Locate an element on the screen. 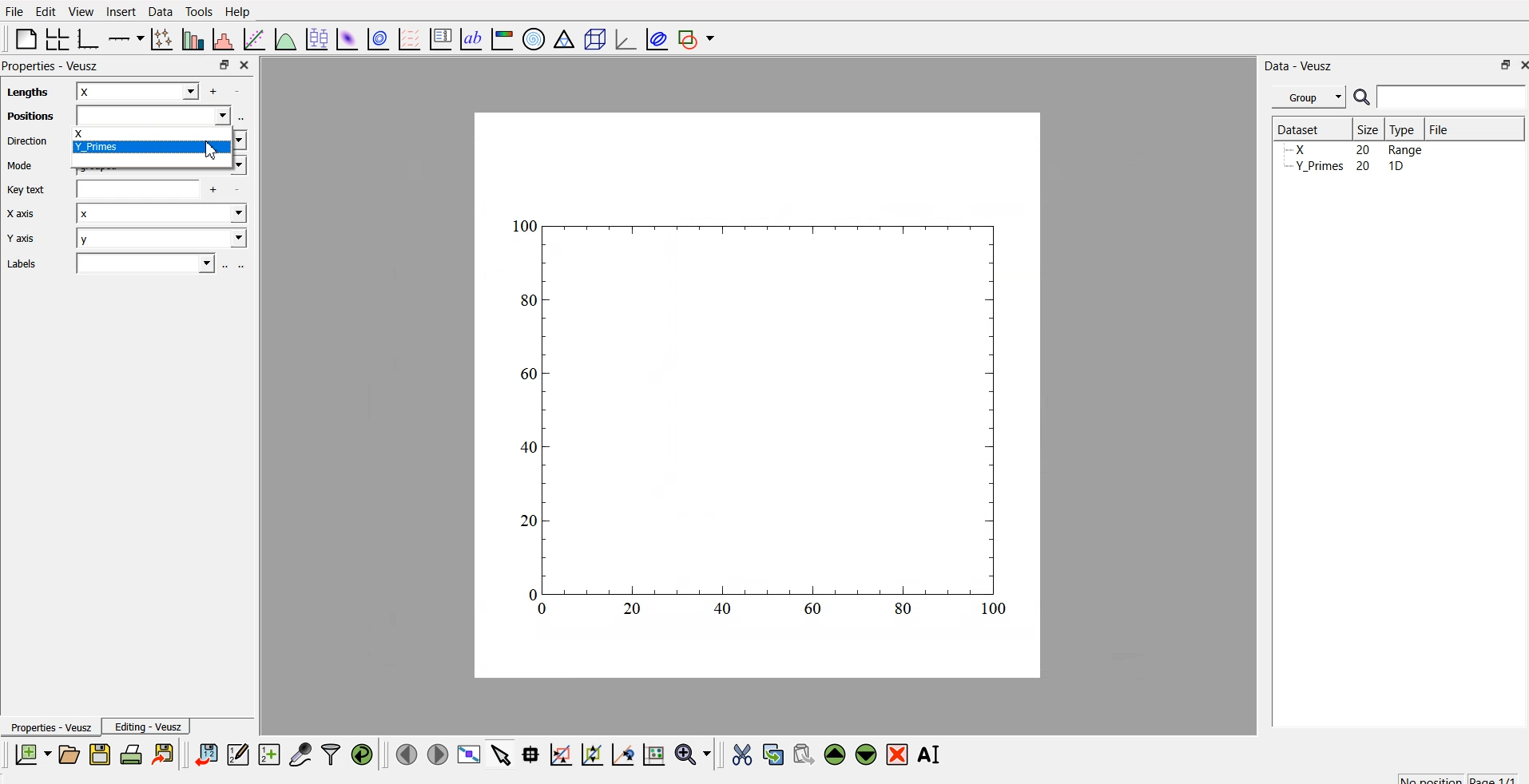  lengths x is located at coordinates (109, 89).